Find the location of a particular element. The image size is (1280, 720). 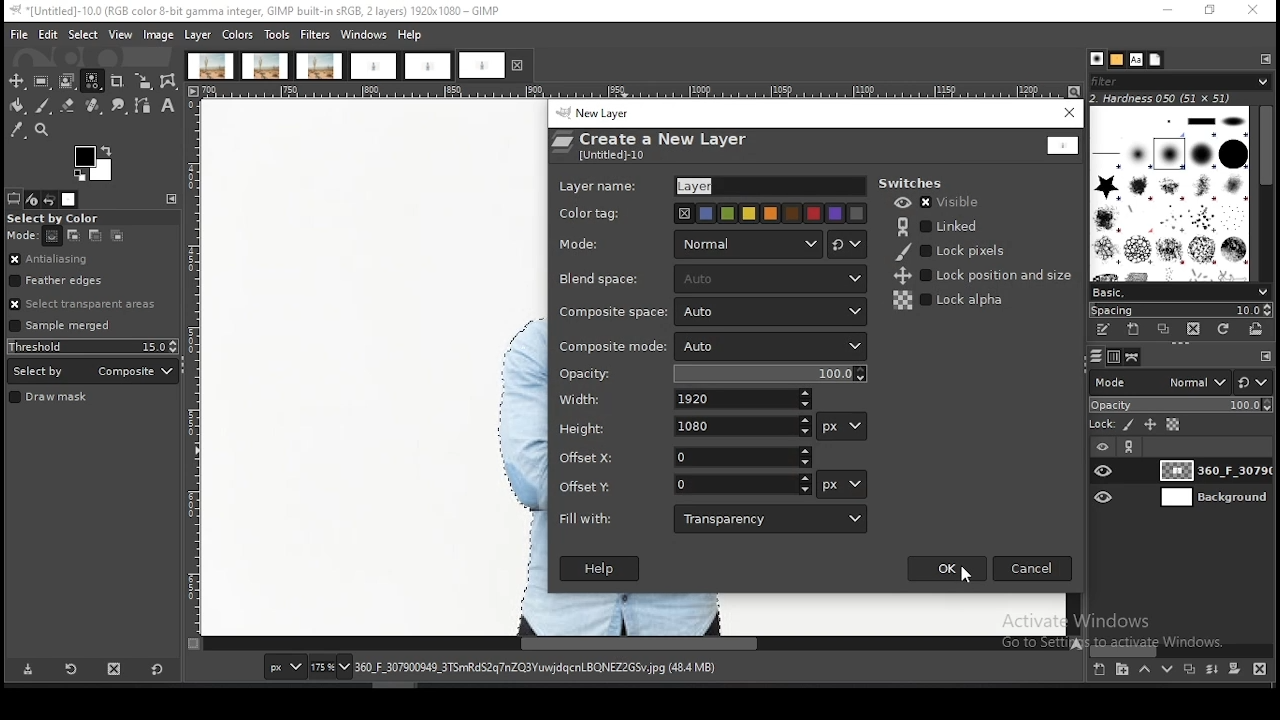

crop tool is located at coordinates (117, 83).